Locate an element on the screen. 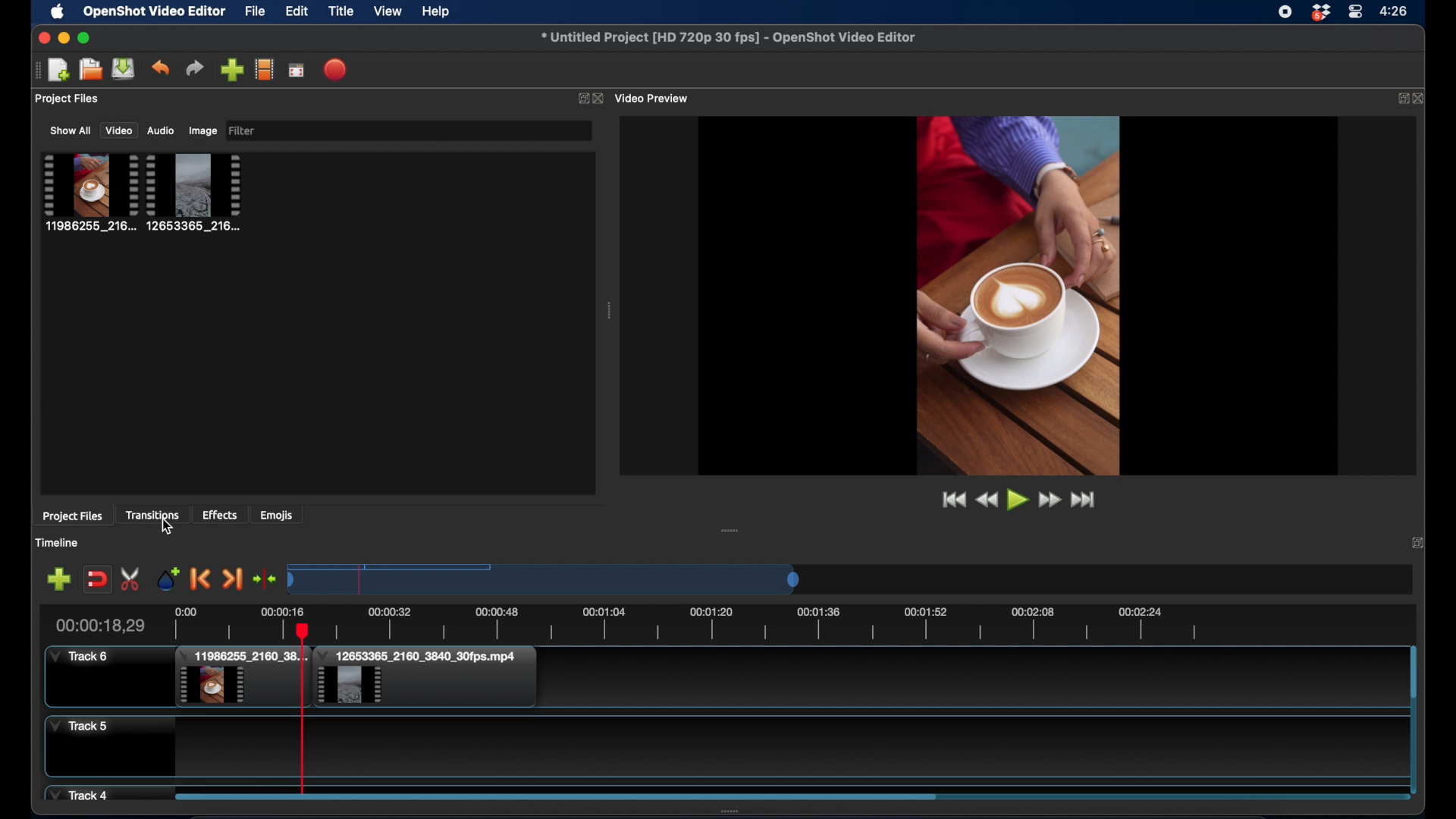  previous marker is located at coordinates (202, 580).